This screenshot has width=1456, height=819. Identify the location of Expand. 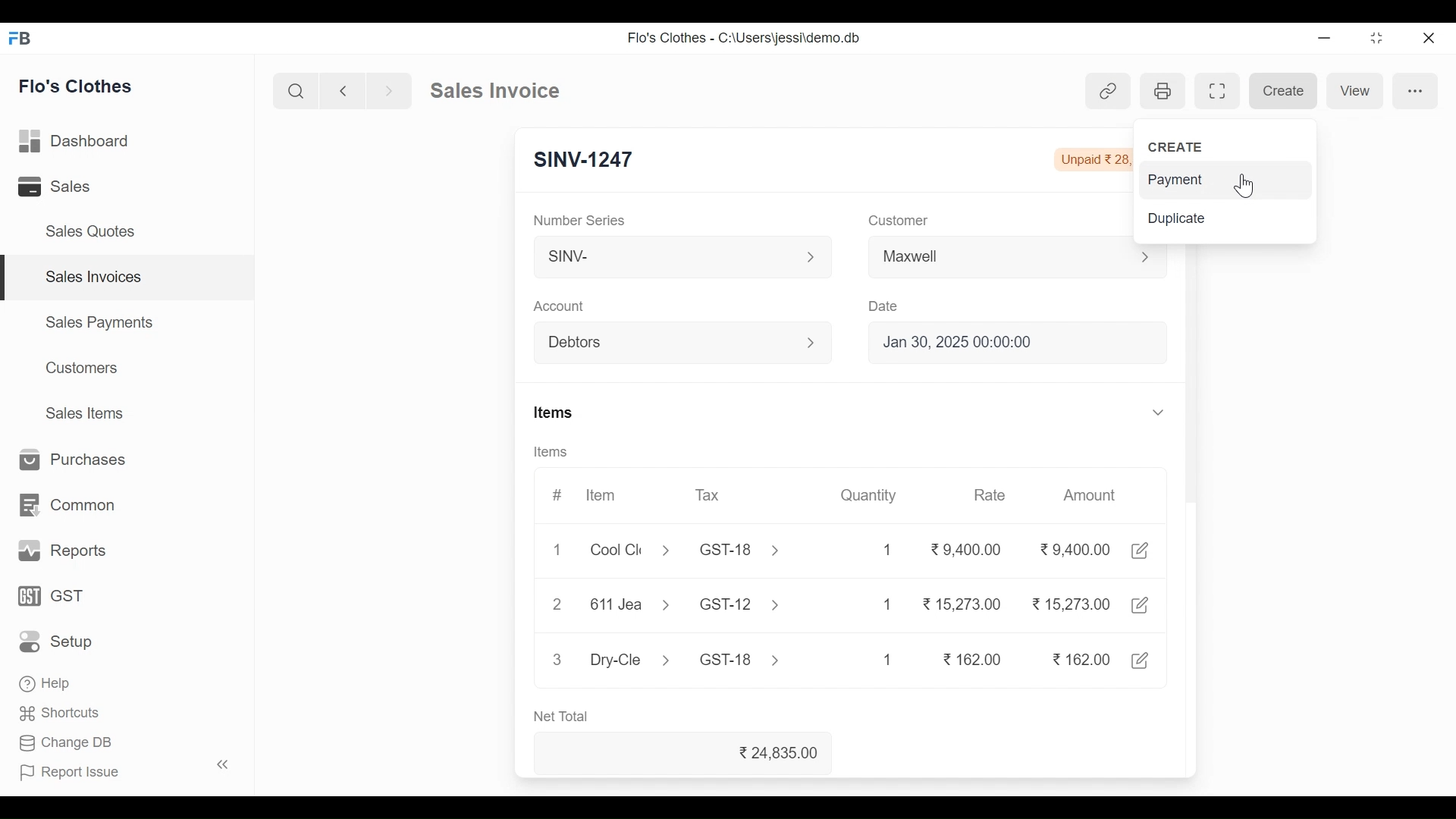
(1159, 412).